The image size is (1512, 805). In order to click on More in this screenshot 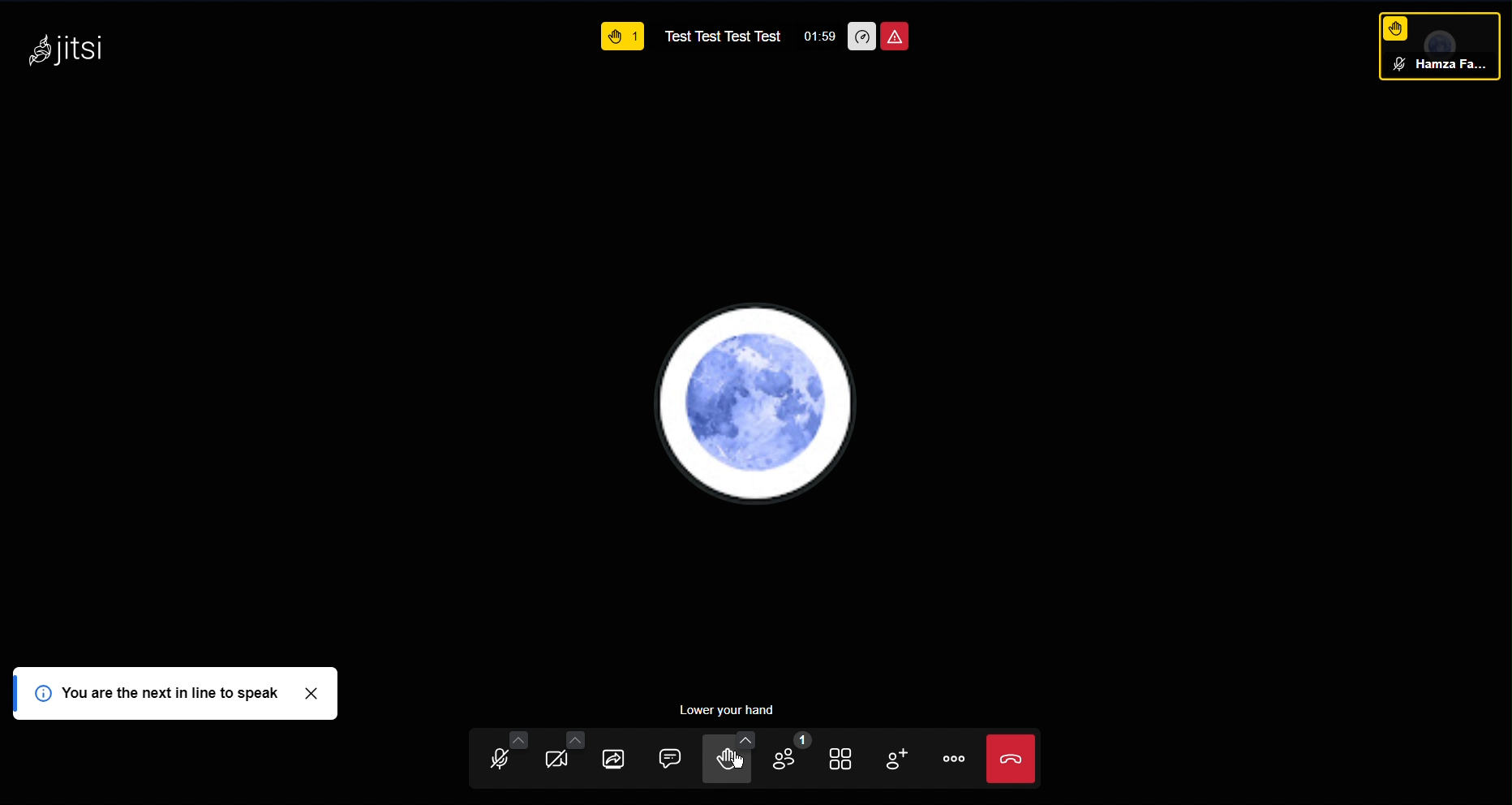, I will do `click(961, 760)`.